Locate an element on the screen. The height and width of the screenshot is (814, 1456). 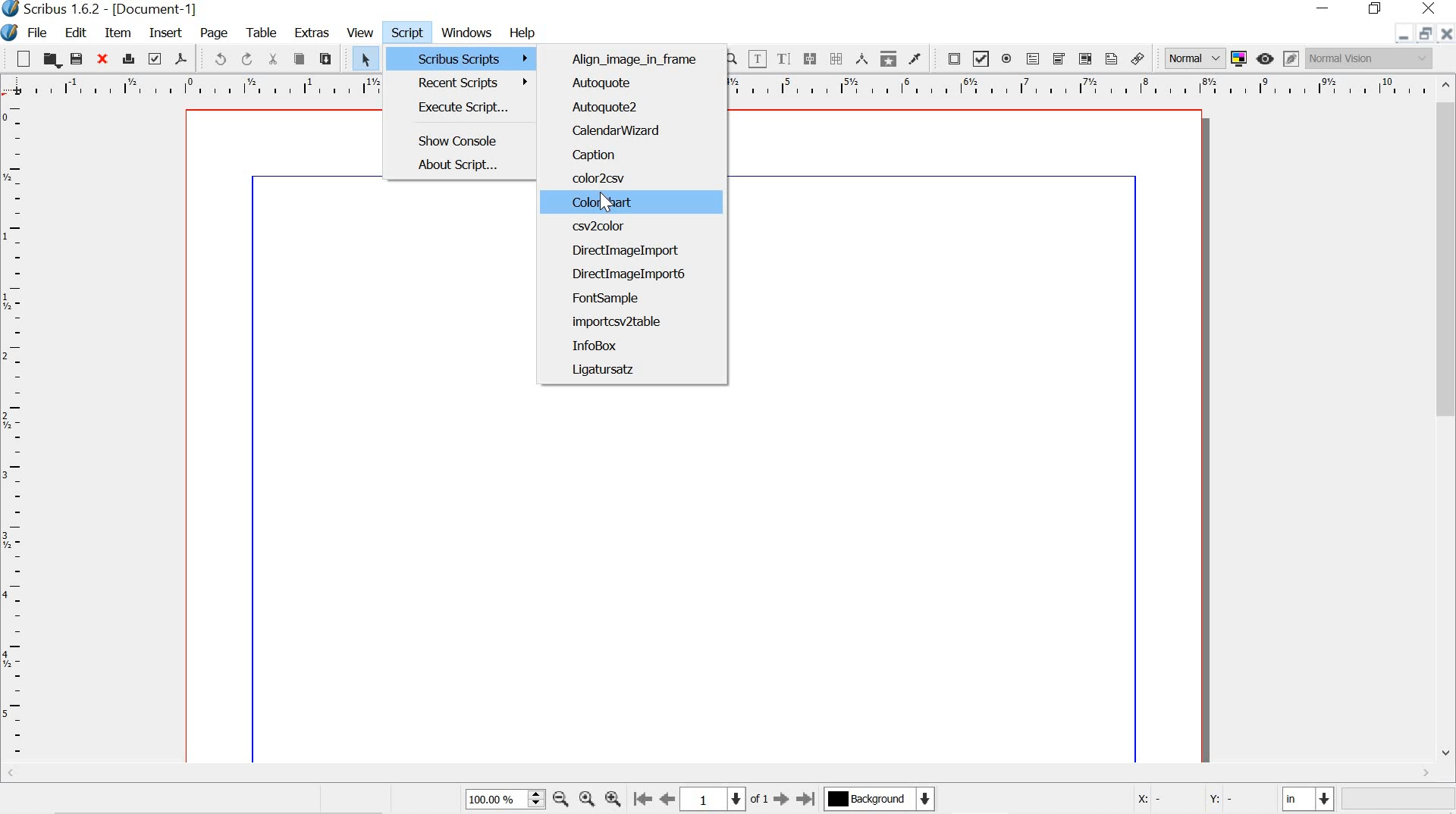
edit is located at coordinates (75, 32).